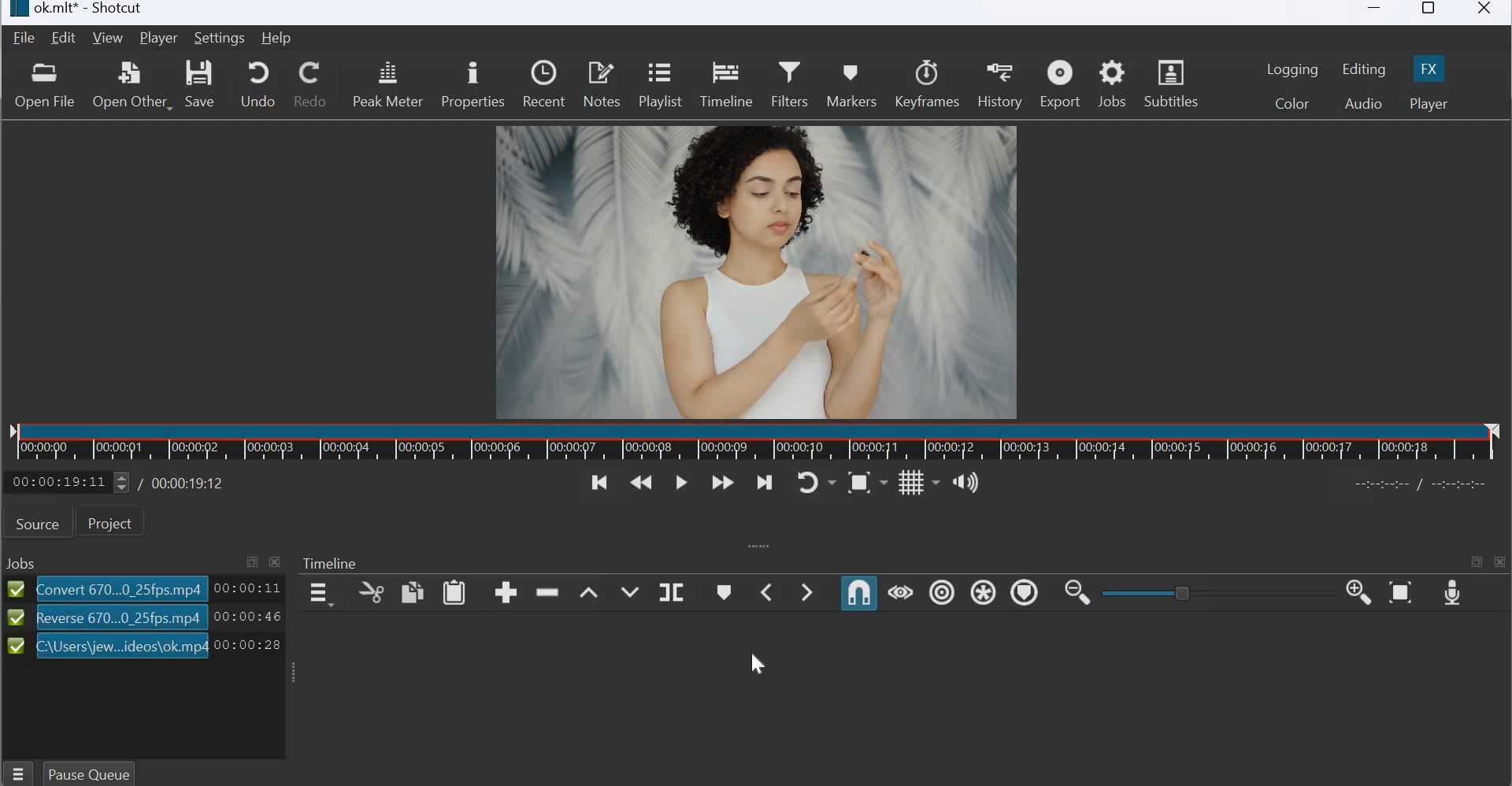 Image resolution: width=1512 pixels, height=786 pixels. What do you see at coordinates (816, 482) in the screenshot?
I see `Toggle player looping` at bounding box center [816, 482].